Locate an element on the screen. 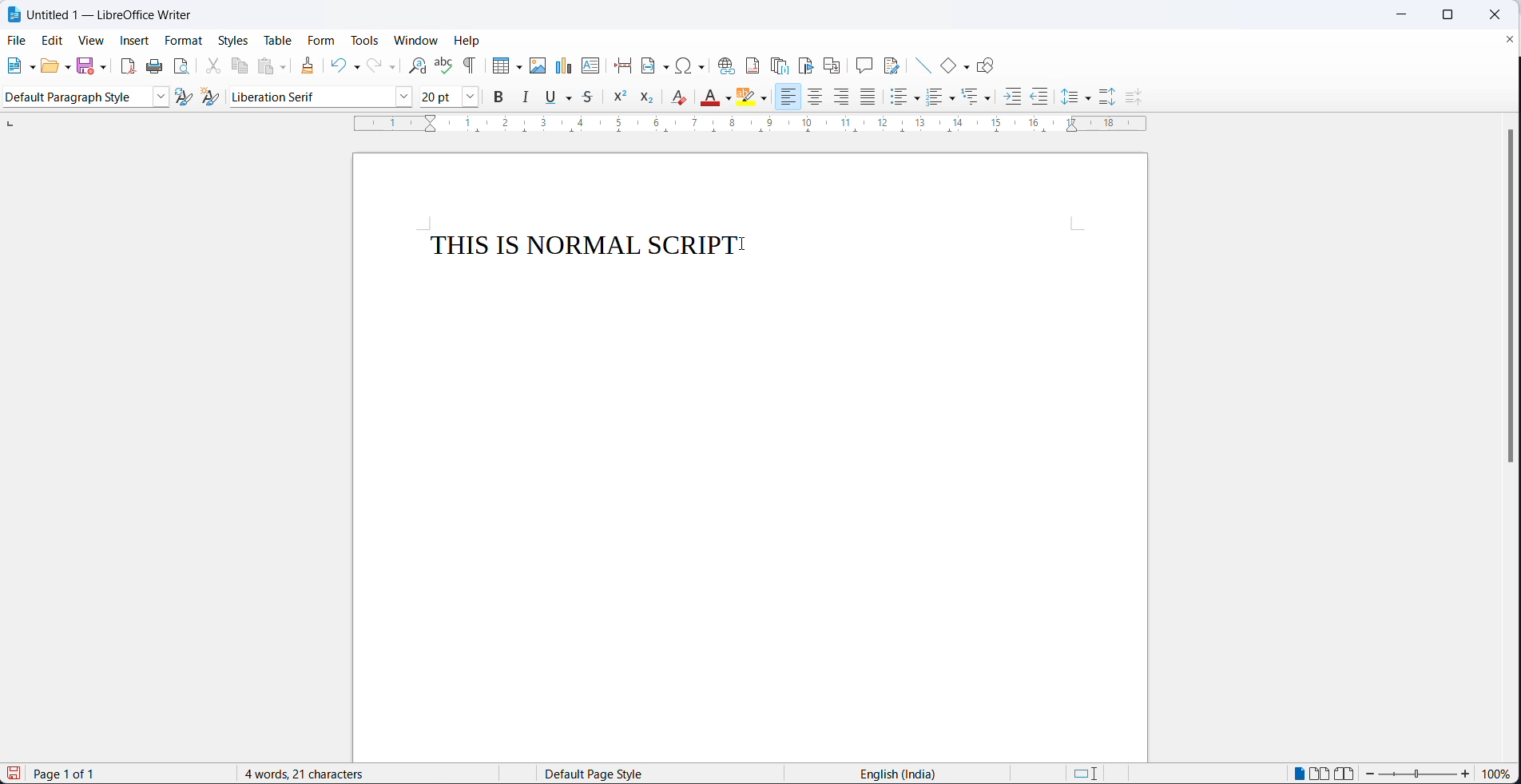 The width and height of the screenshot is (1521, 784). redo is located at coordinates (373, 66).